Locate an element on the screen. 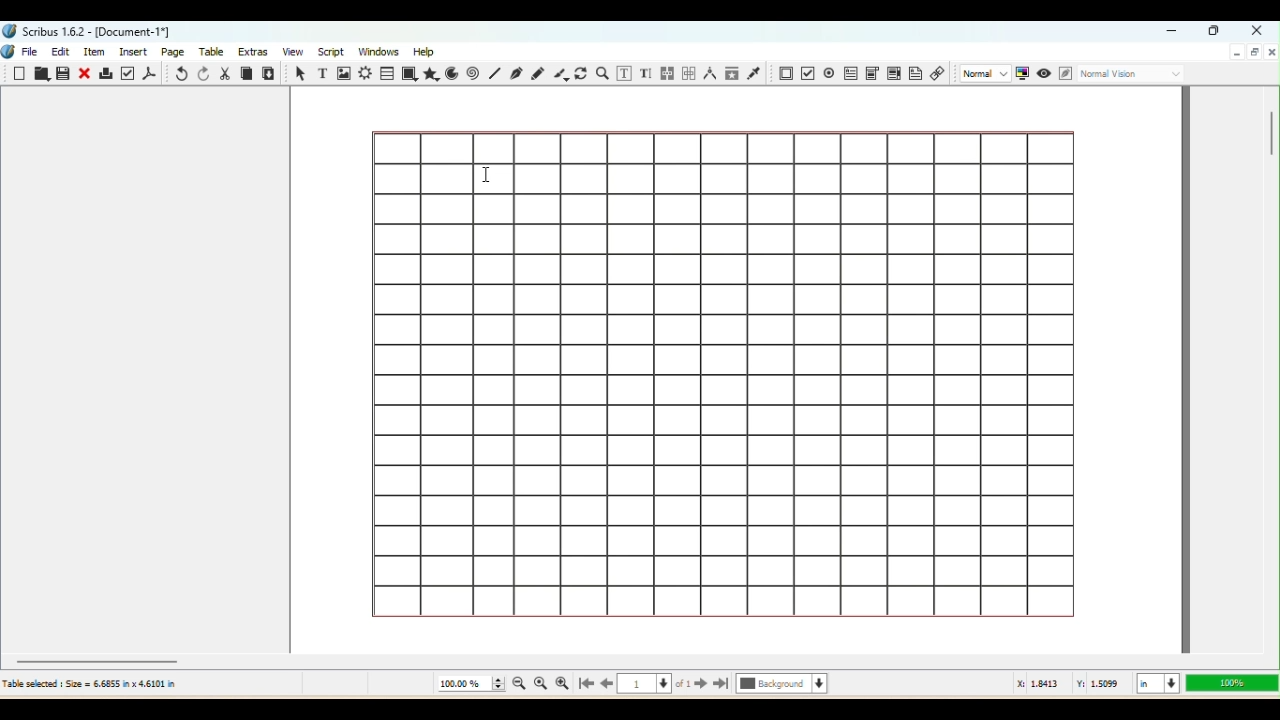 The width and height of the screenshot is (1280, 720). Bezier curve is located at coordinates (517, 75).